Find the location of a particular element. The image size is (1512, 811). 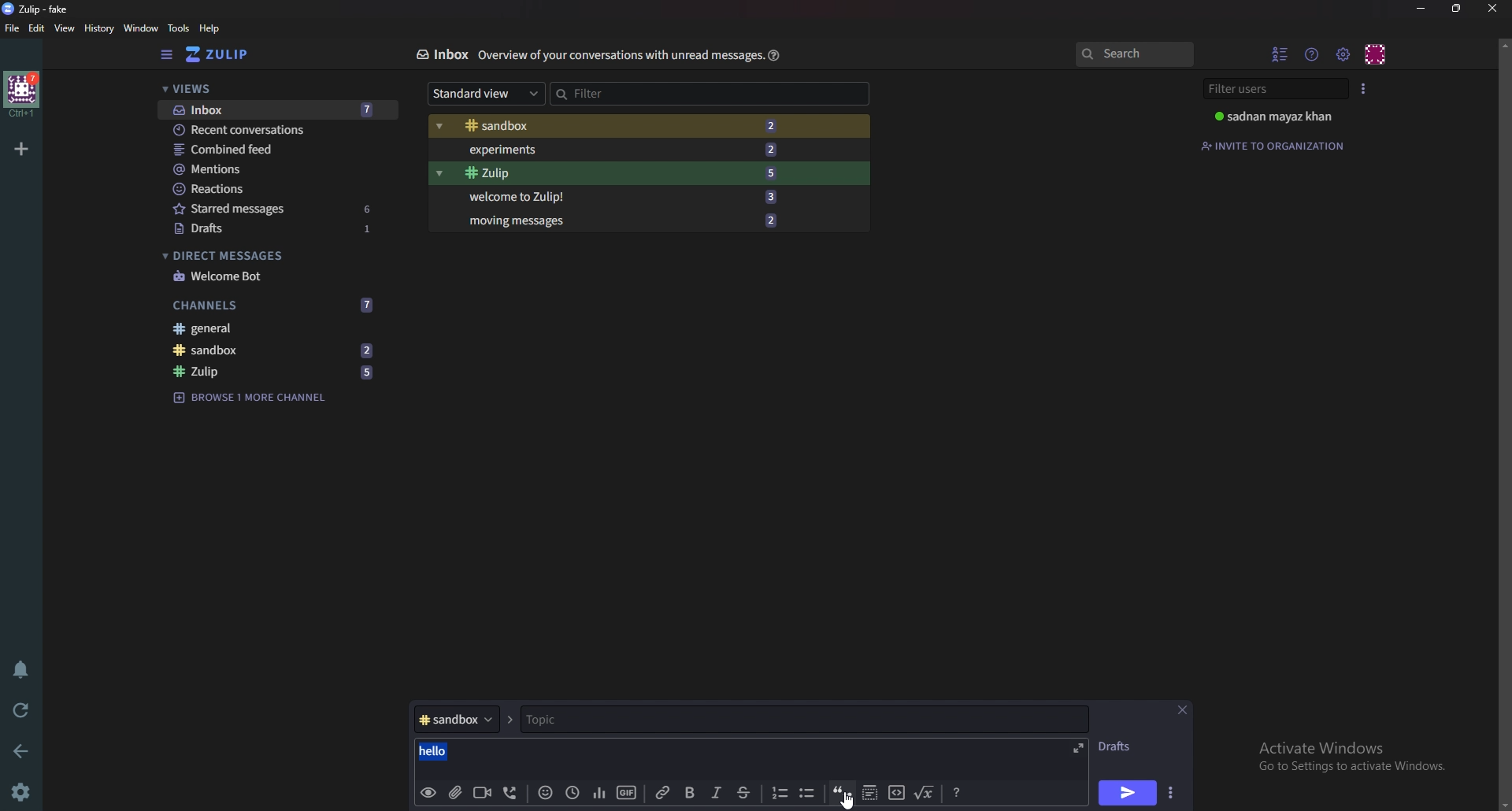

Resize is located at coordinates (1456, 8).